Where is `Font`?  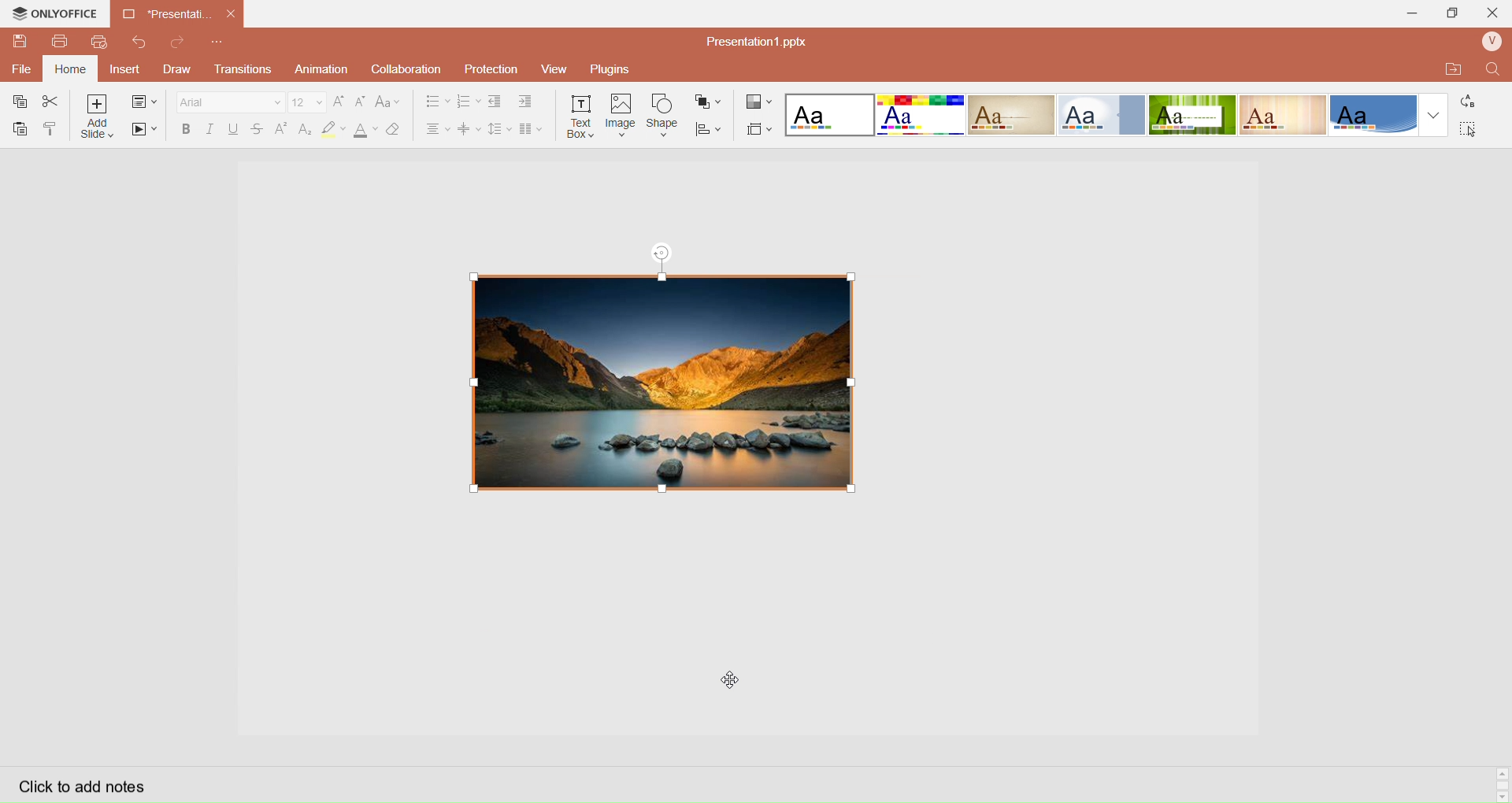
Font is located at coordinates (231, 102).